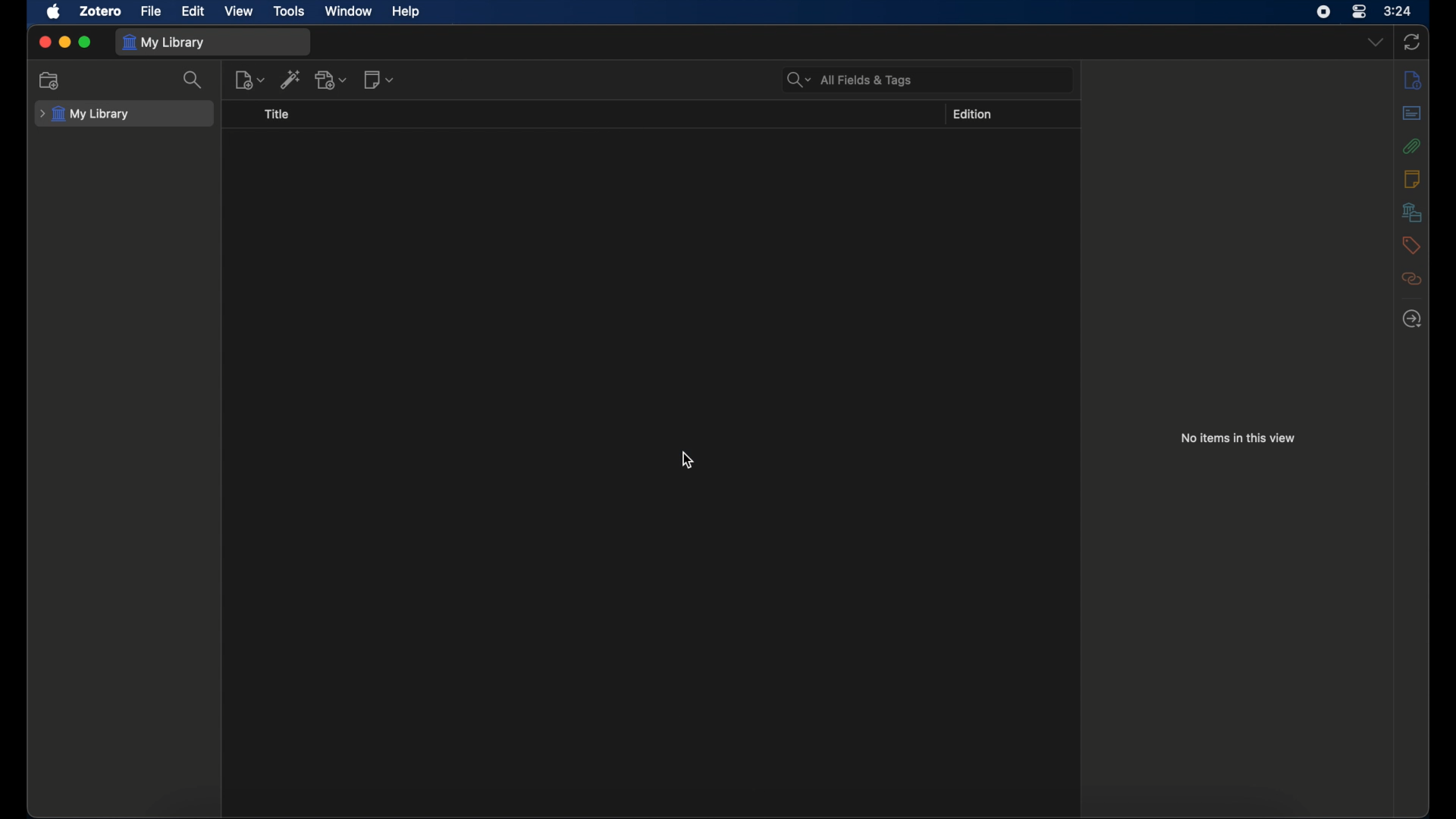  I want to click on my library, so click(167, 43).